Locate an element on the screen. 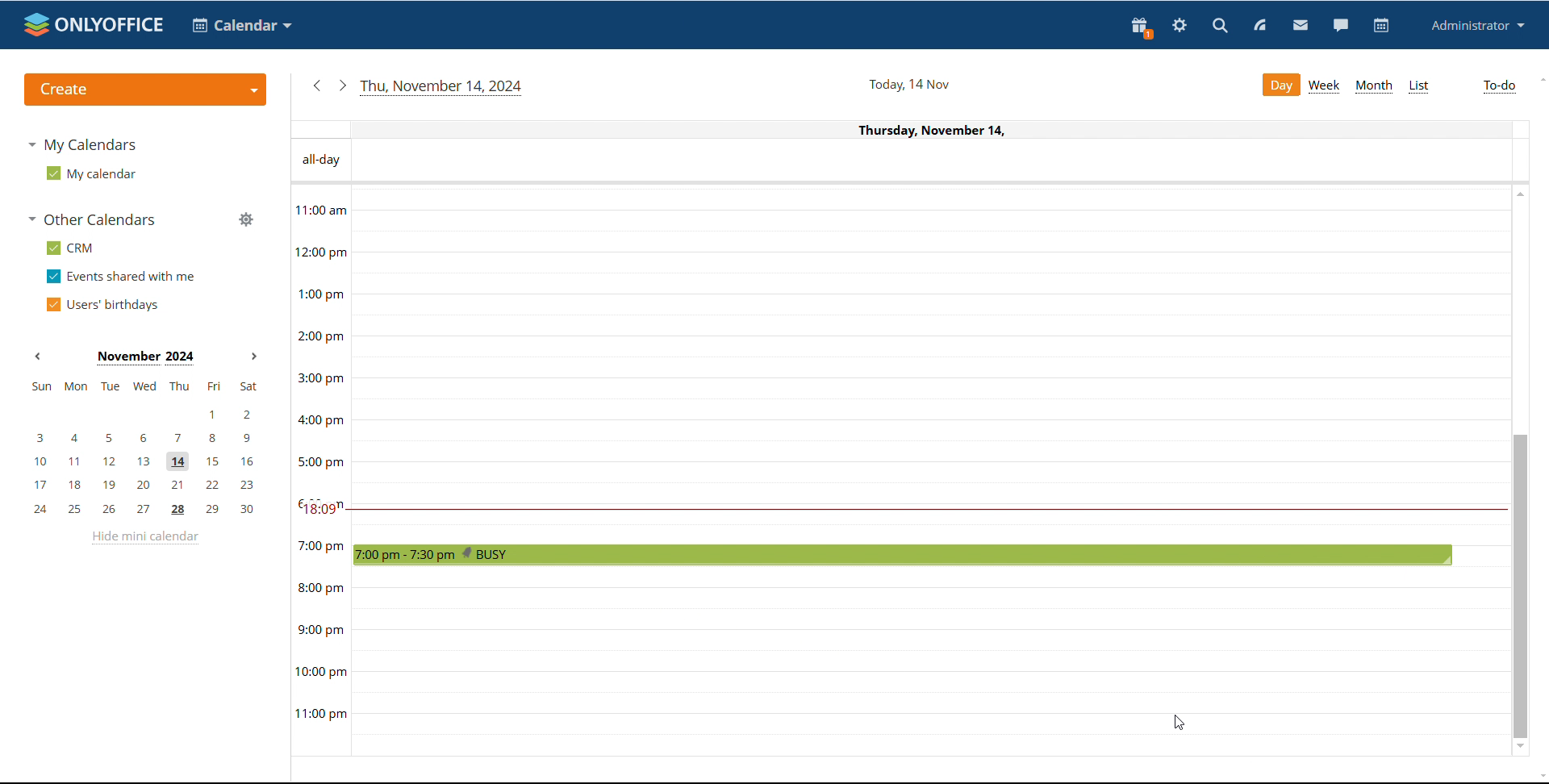 This screenshot has height=784, width=1549. scroll down is located at coordinates (1539, 778).